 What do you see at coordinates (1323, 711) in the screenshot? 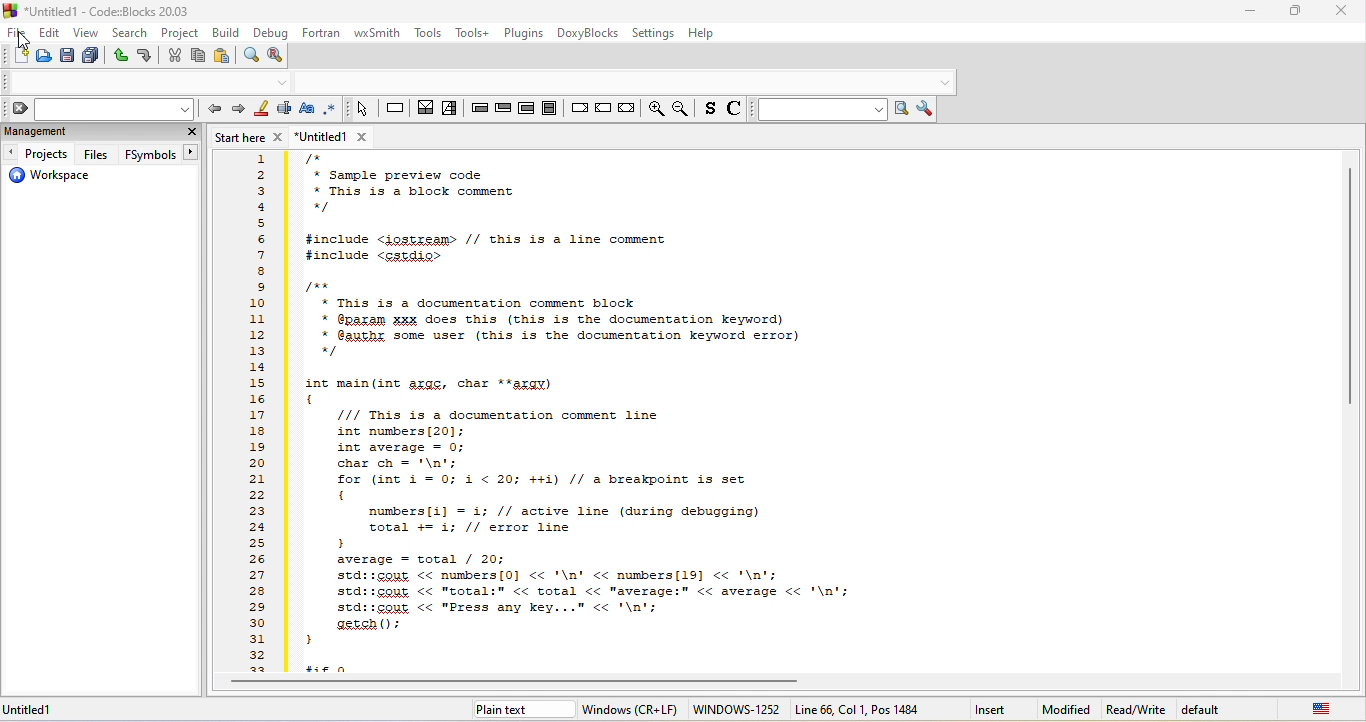
I see `united state` at bounding box center [1323, 711].